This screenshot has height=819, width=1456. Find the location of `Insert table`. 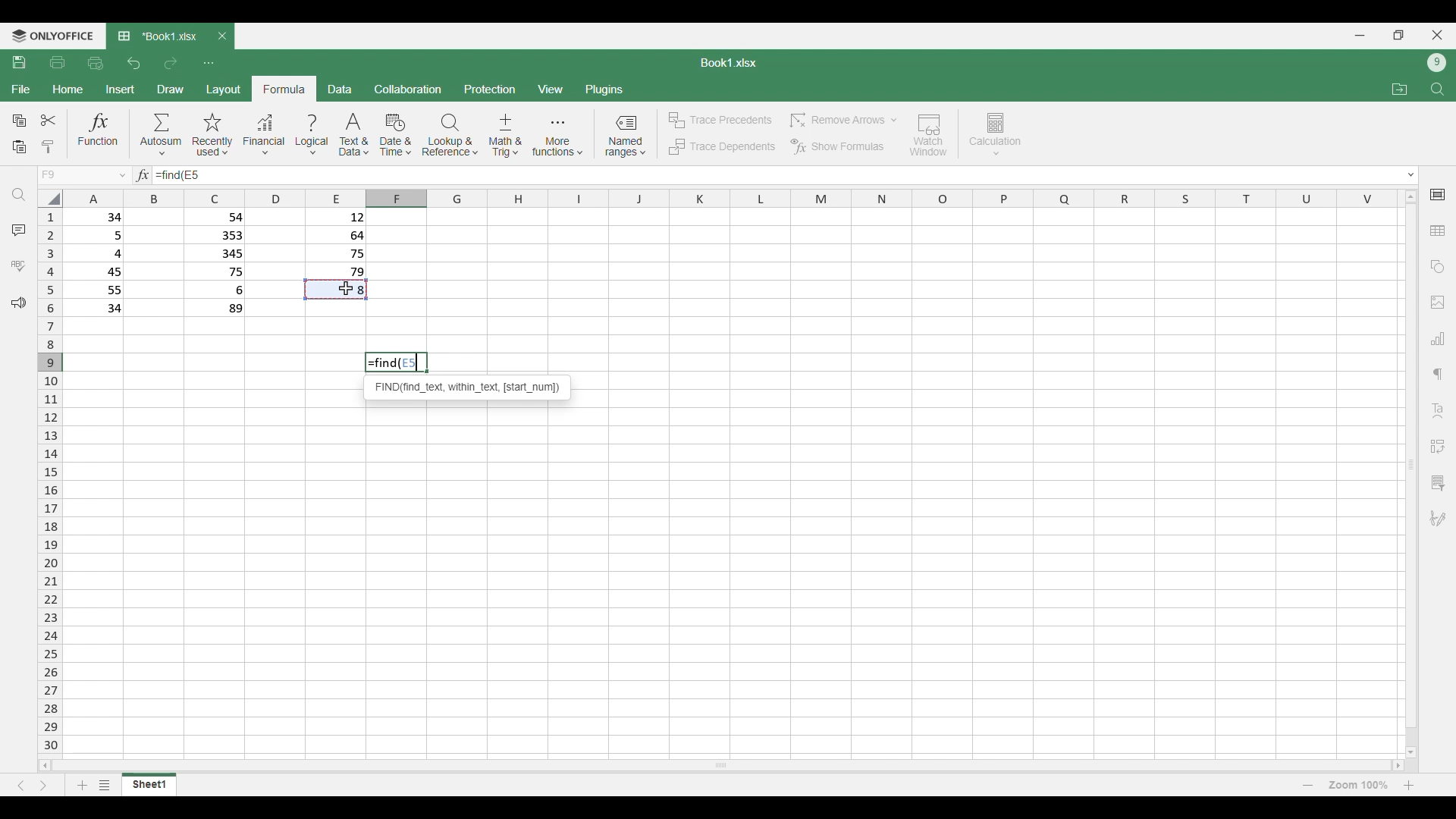

Insert table is located at coordinates (1438, 231).